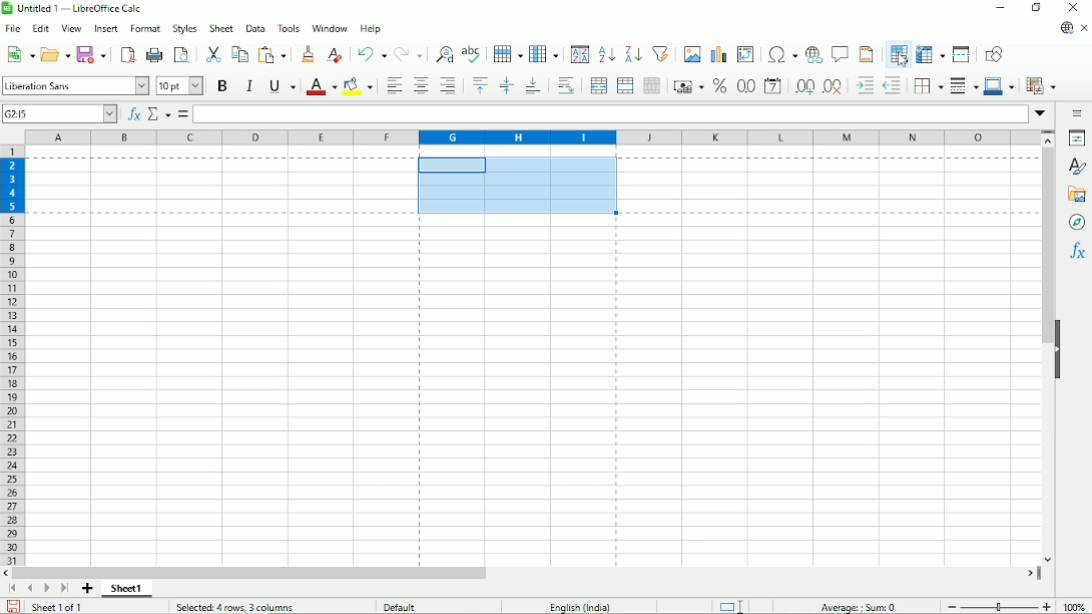  What do you see at coordinates (55, 54) in the screenshot?
I see `Open` at bounding box center [55, 54].